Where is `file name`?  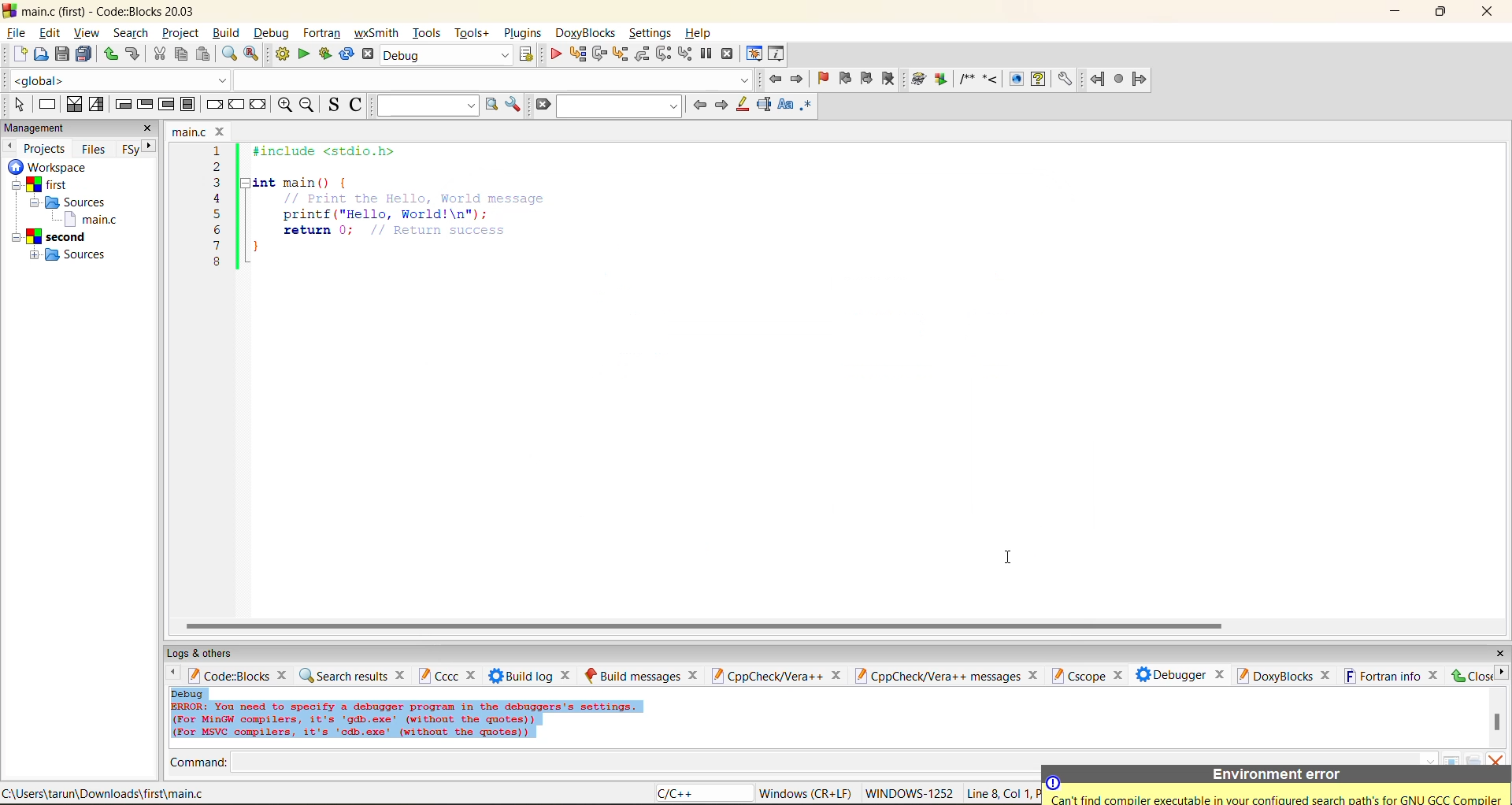
file name is located at coordinates (191, 132).